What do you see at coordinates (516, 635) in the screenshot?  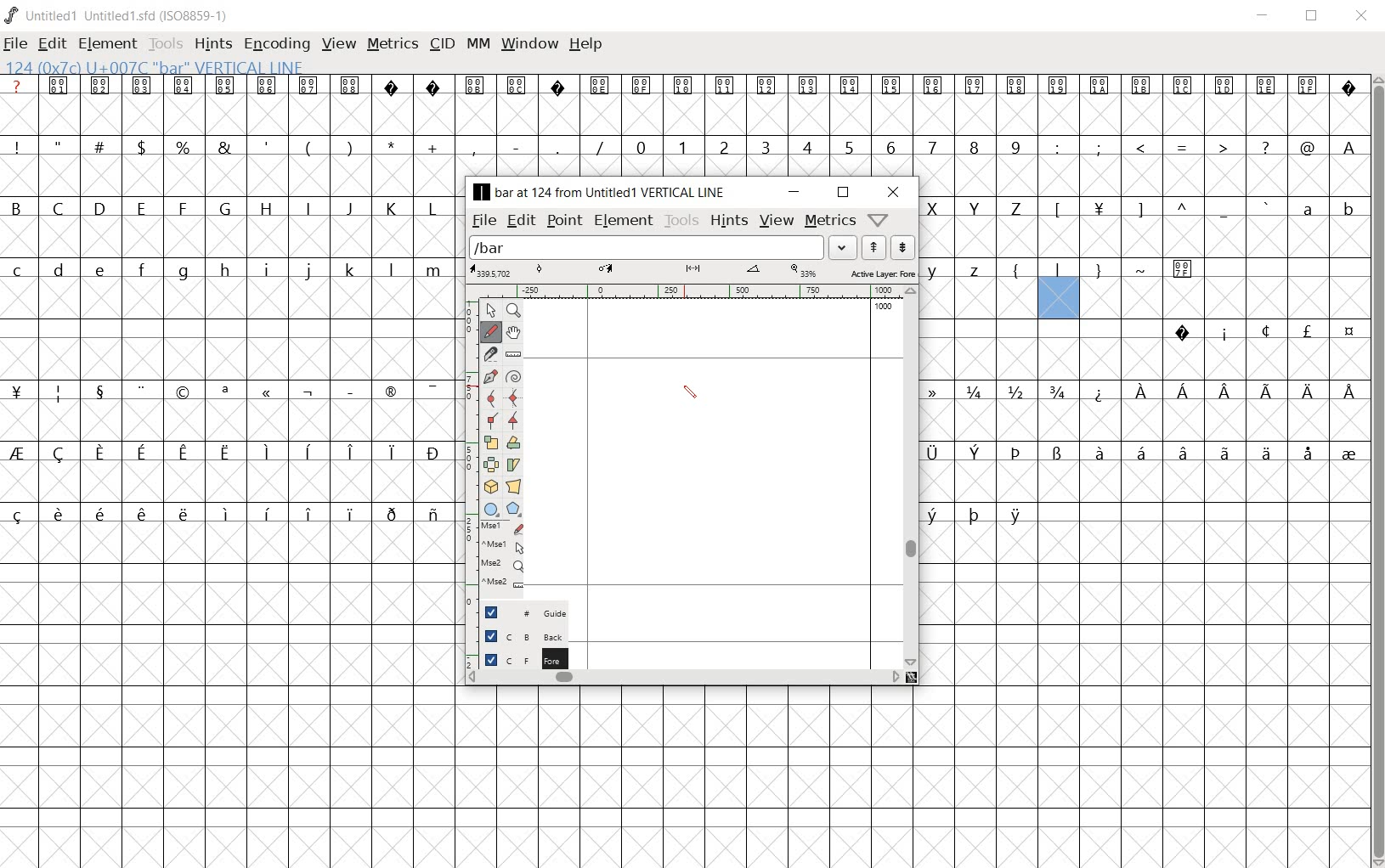 I see `background` at bounding box center [516, 635].